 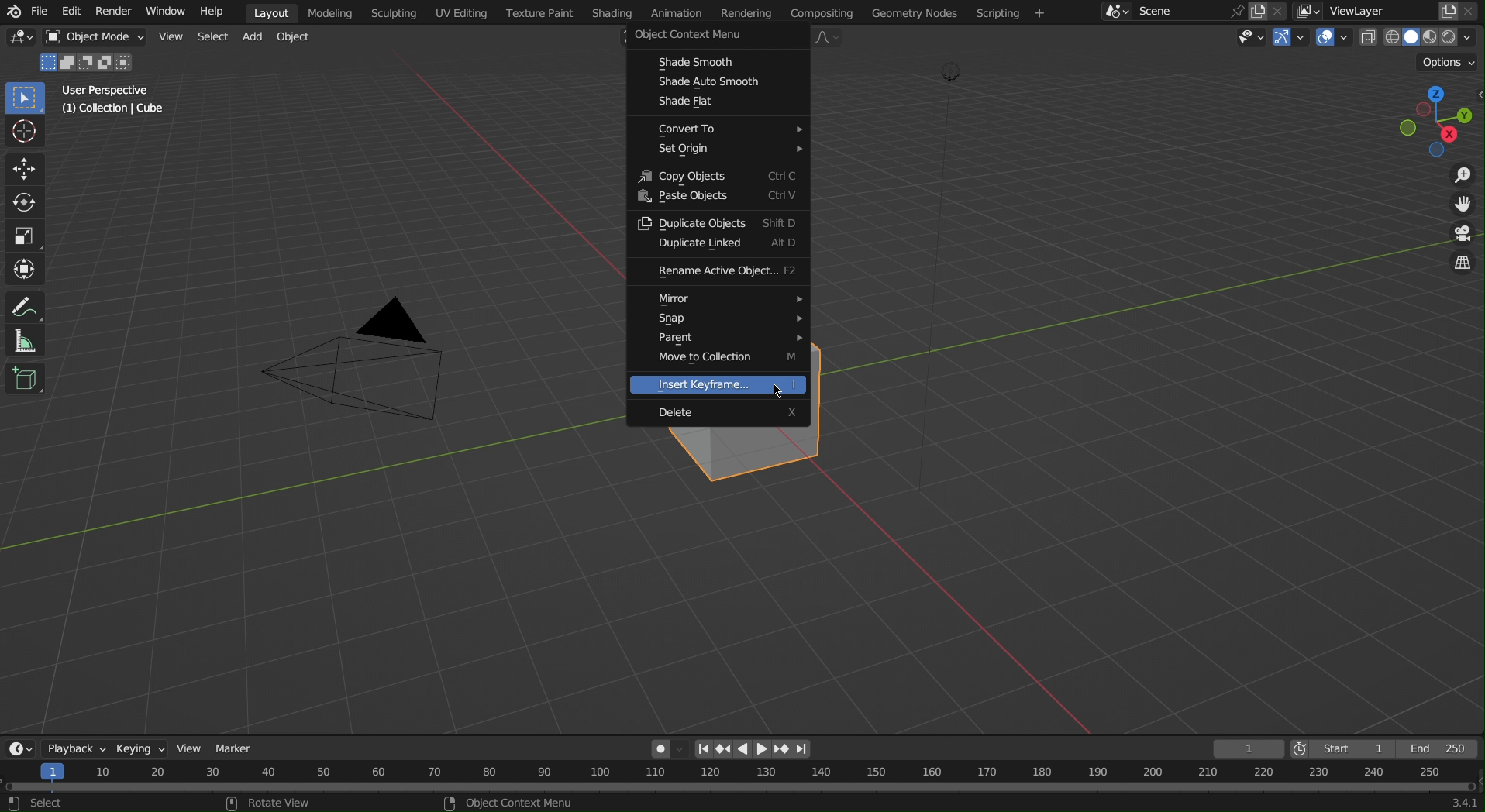 What do you see at coordinates (1259, 11) in the screenshot?
I see `copy` at bounding box center [1259, 11].